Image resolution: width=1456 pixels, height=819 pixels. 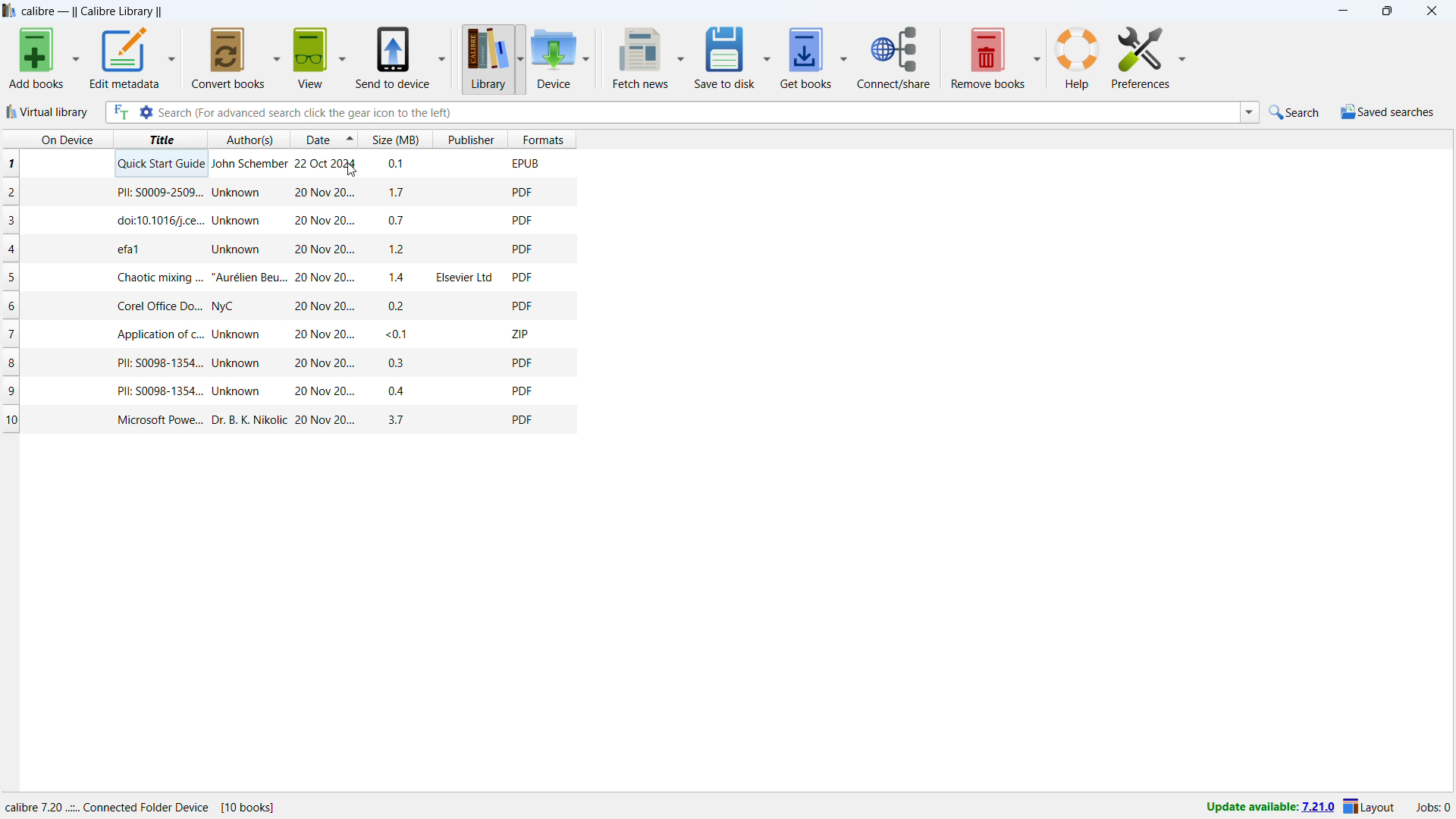 What do you see at coordinates (725, 57) in the screenshot?
I see `` at bounding box center [725, 57].